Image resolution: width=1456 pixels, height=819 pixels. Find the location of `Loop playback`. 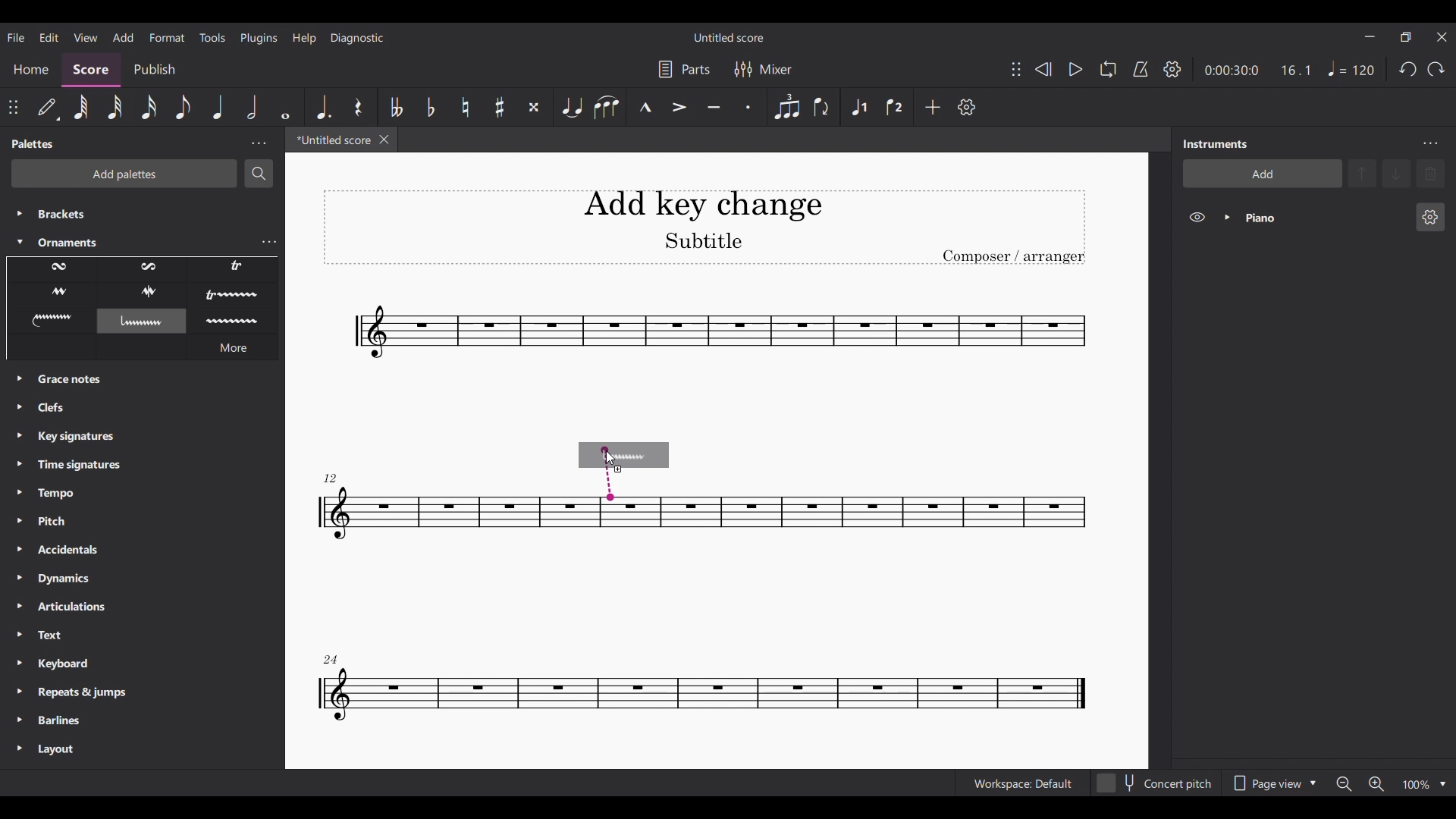

Loop playback is located at coordinates (1108, 69).